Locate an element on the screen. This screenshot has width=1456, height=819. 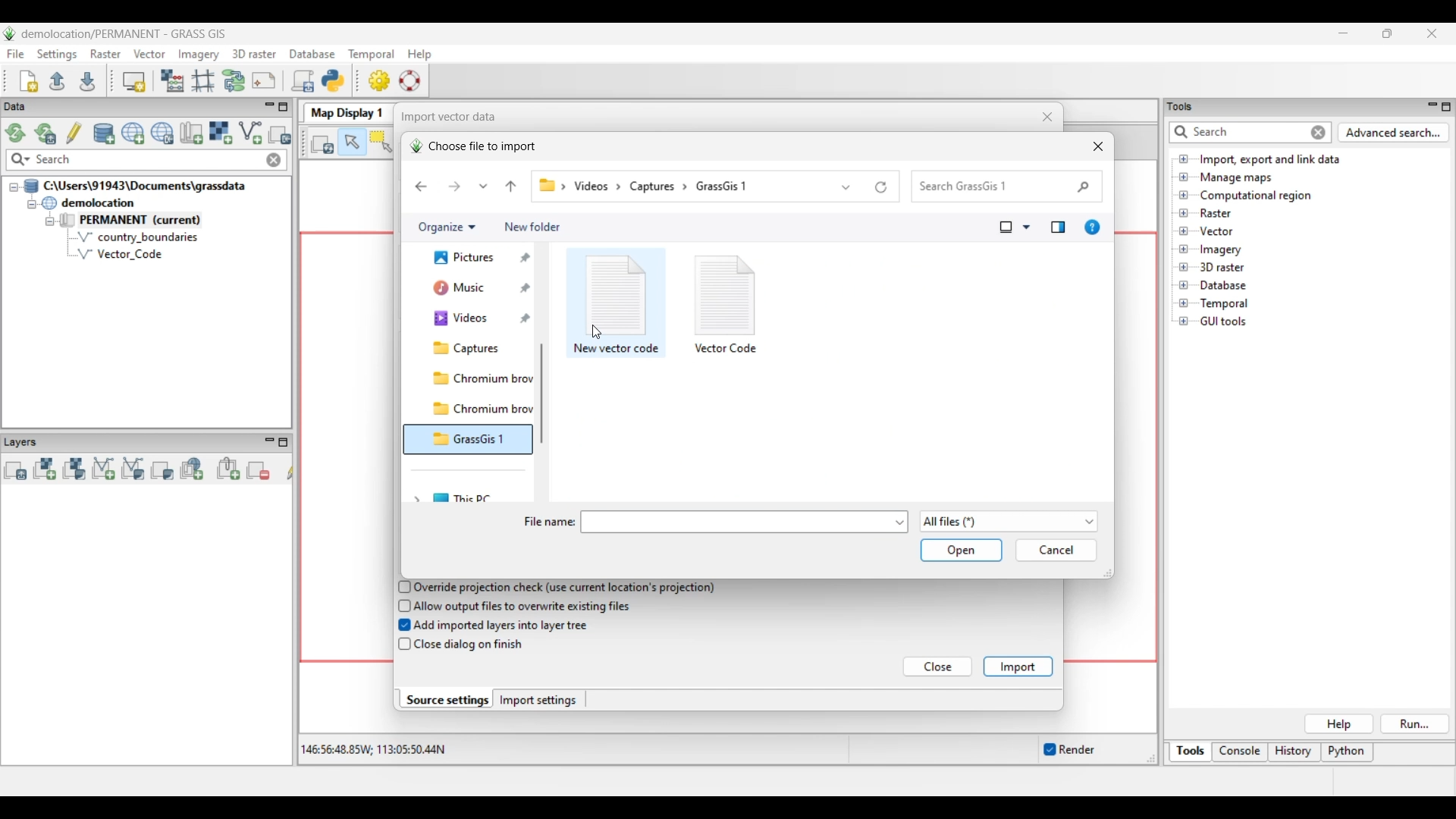
Double click to see files under Computational region is located at coordinates (1256, 196).